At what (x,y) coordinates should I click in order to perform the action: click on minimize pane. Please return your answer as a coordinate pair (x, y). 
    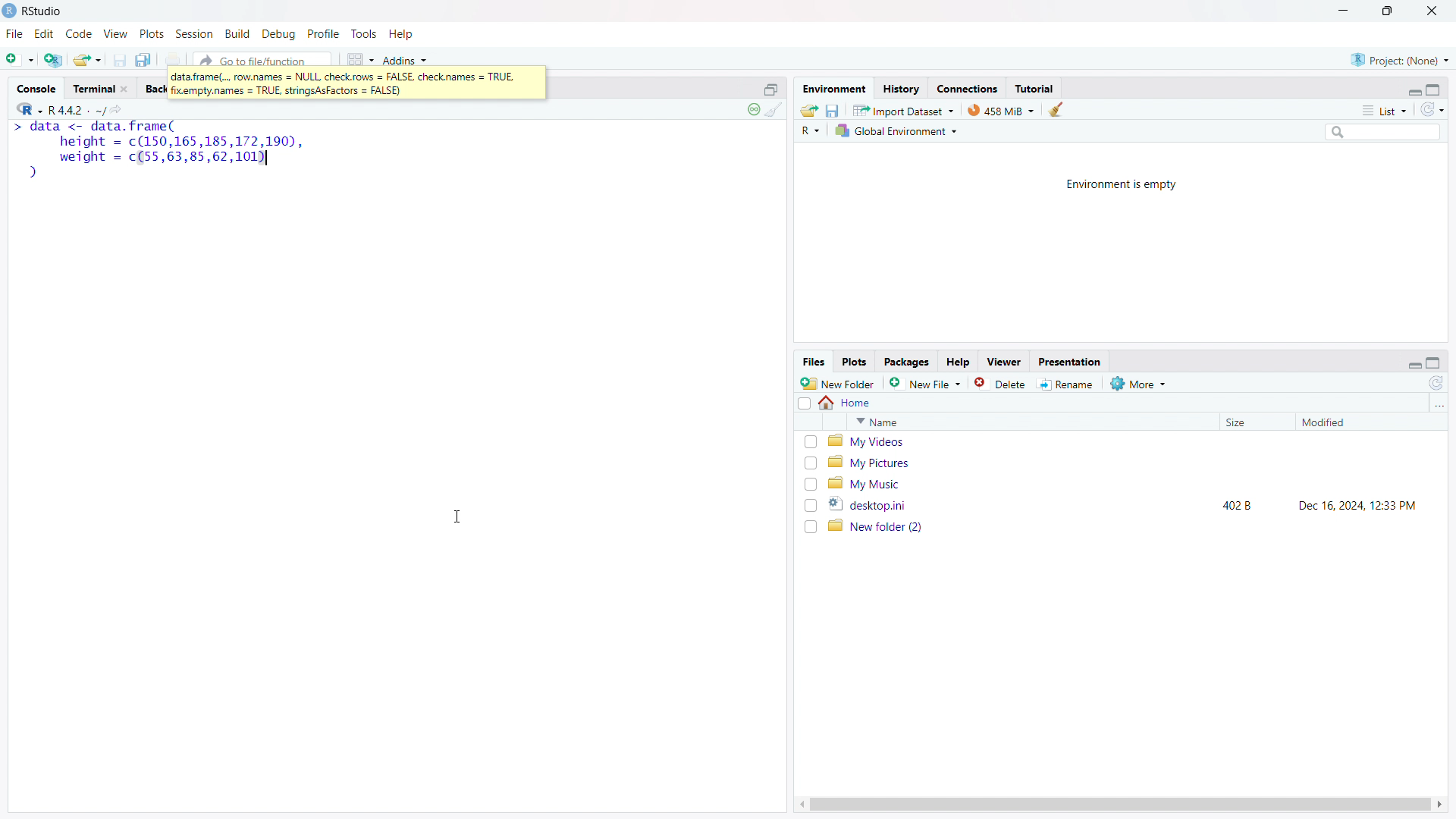
    Looking at the image, I should click on (1414, 89).